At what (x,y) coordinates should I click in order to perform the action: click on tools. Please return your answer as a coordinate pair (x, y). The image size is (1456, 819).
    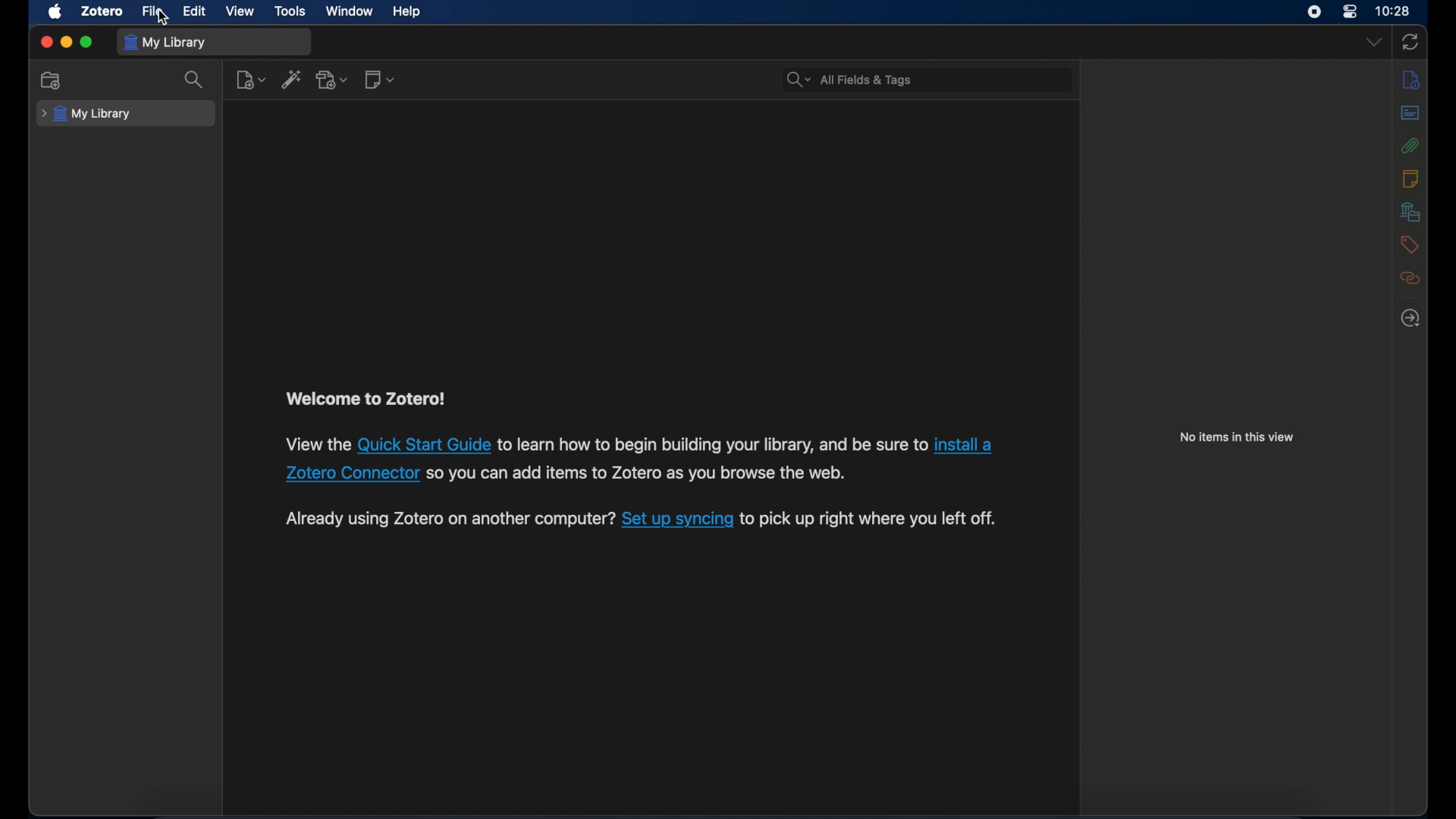
    Looking at the image, I should click on (290, 11).